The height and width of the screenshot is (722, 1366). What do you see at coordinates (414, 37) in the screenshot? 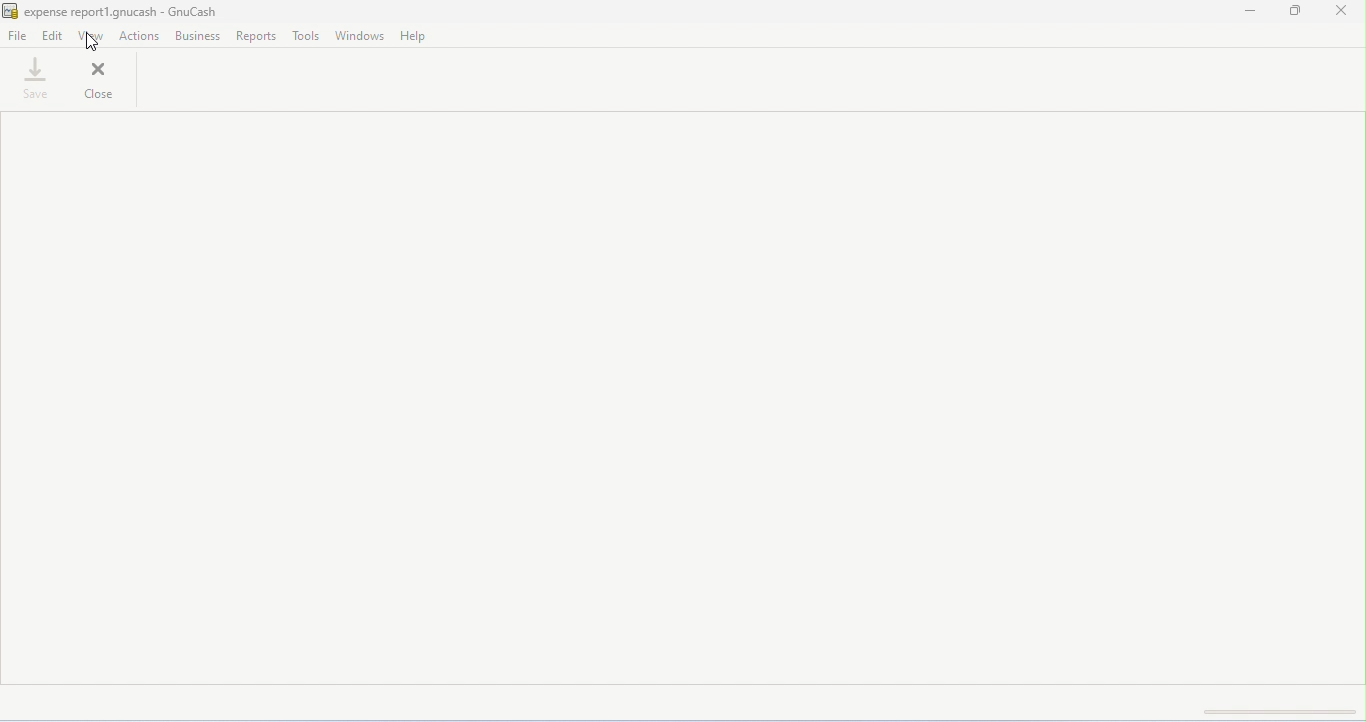
I see `help` at bounding box center [414, 37].